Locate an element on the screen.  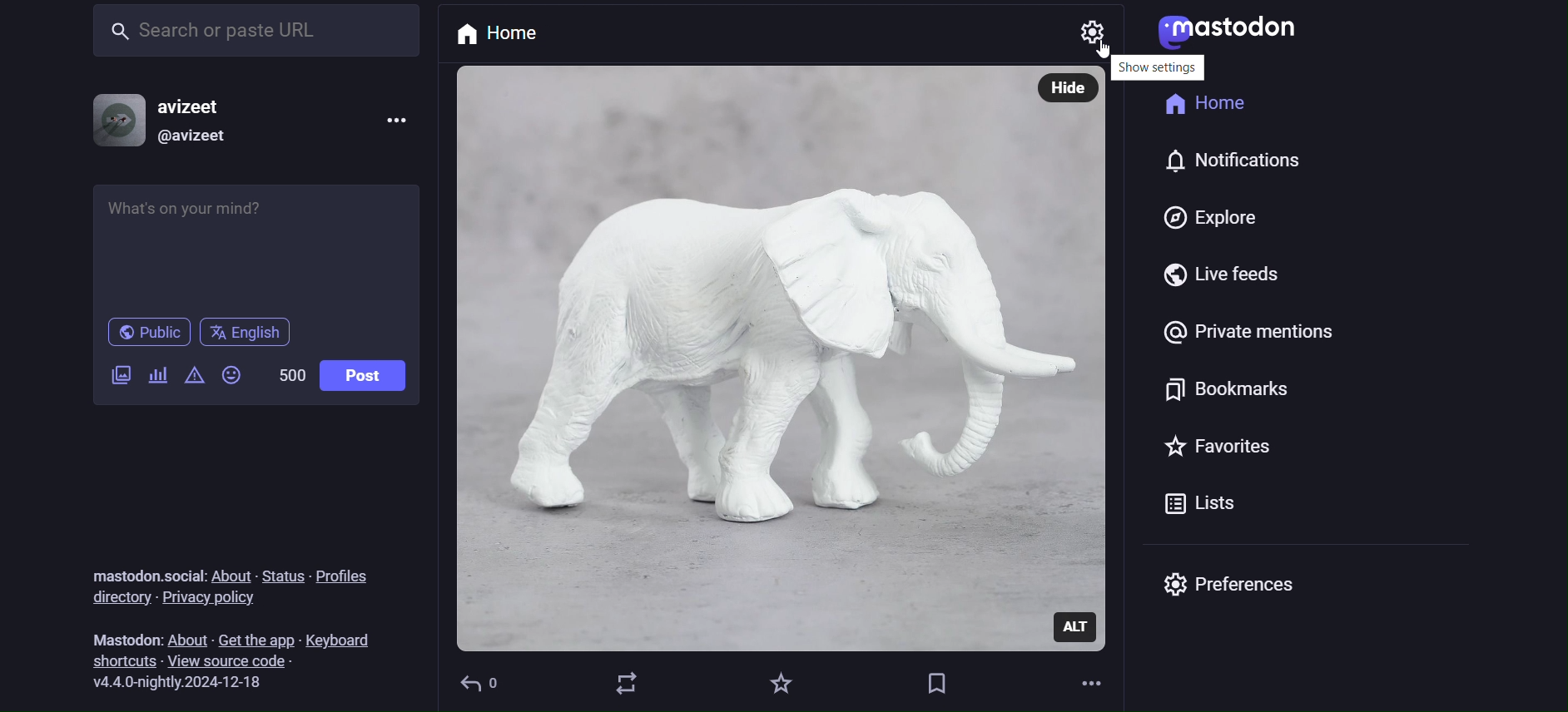
What's on your mind? is located at coordinates (254, 248).